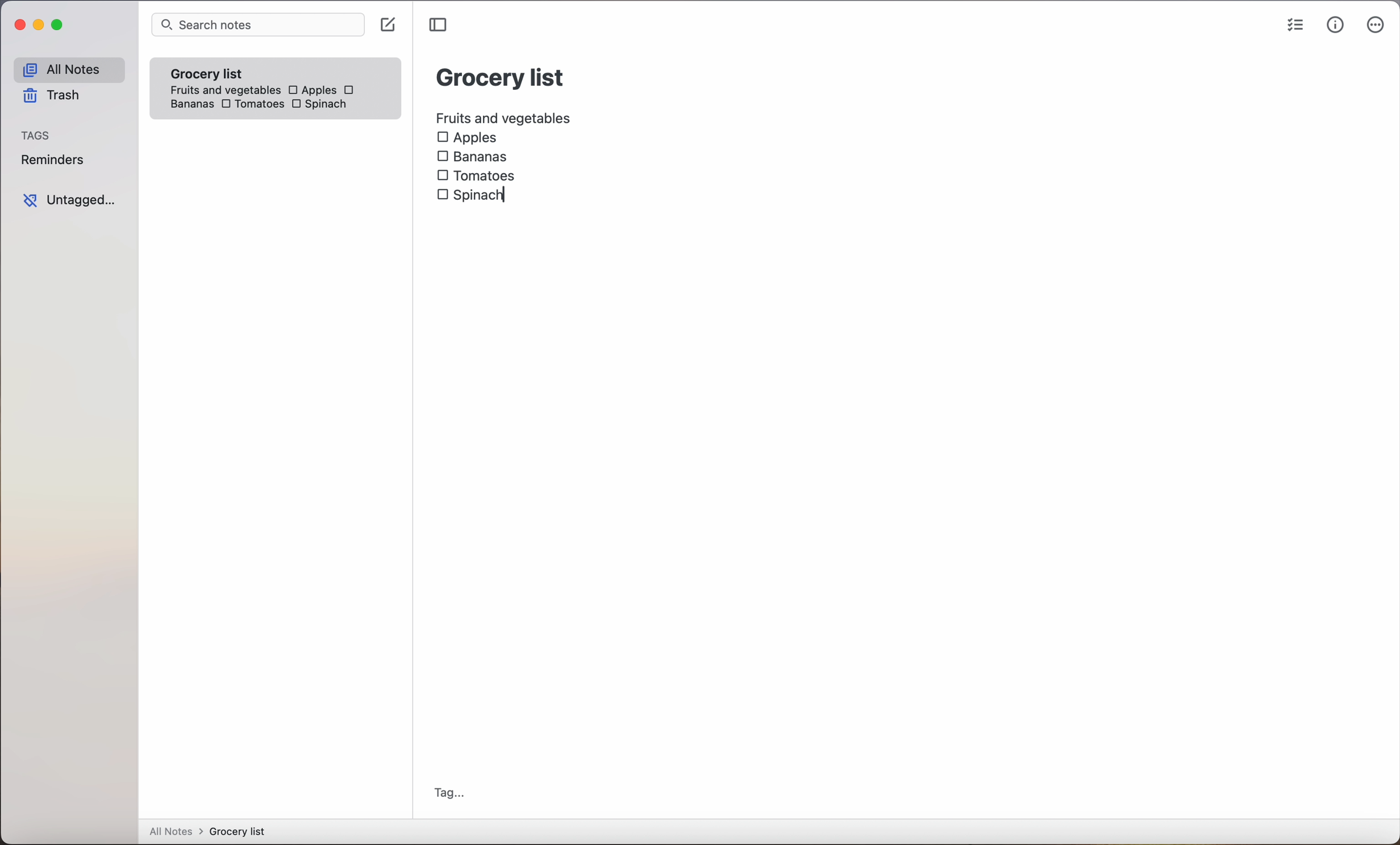 The image size is (1400, 845). Describe the element at coordinates (320, 106) in the screenshot. I see `Spinach checkbox` at that location.